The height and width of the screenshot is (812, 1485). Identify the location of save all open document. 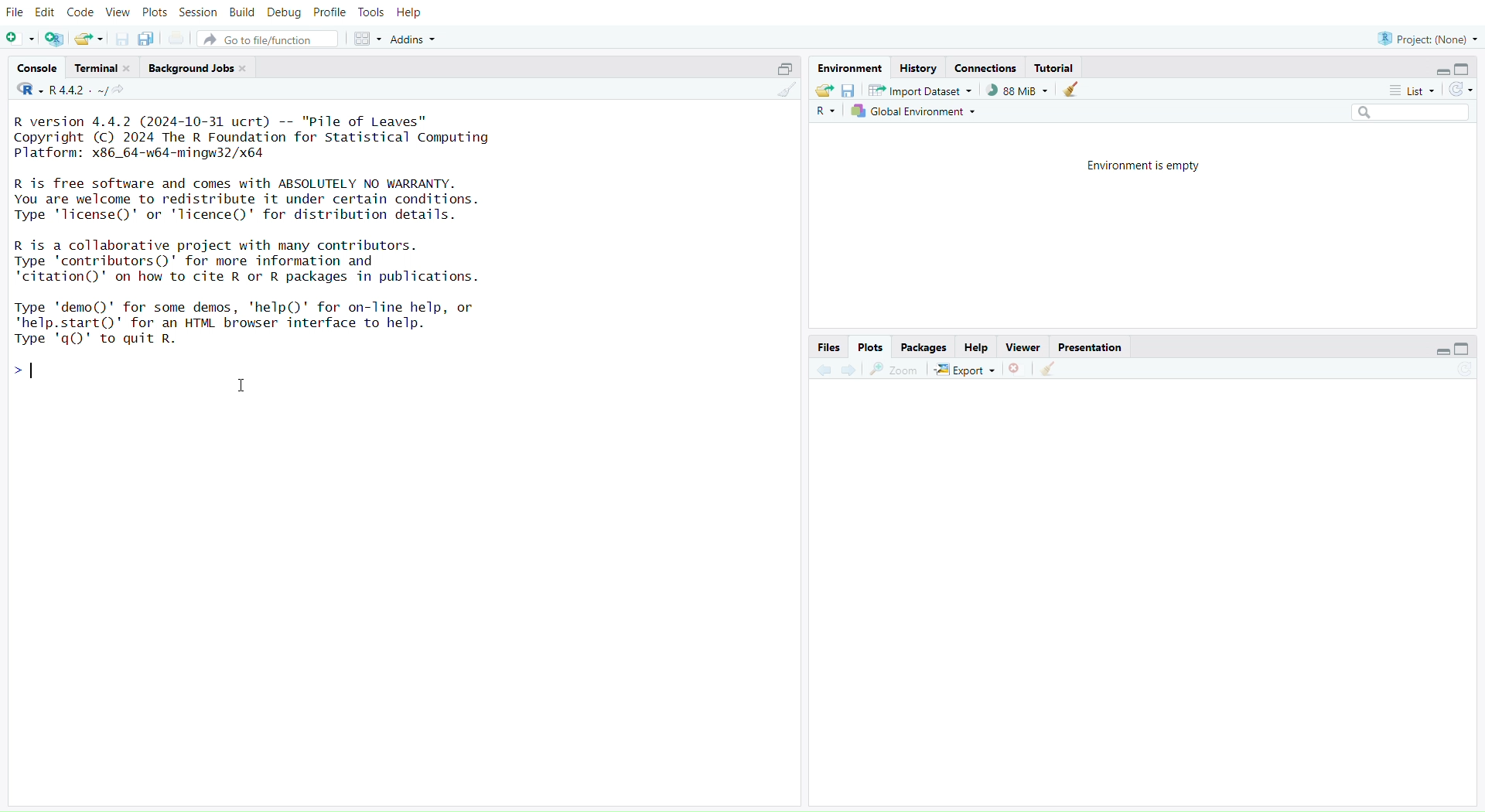
(150, 39).